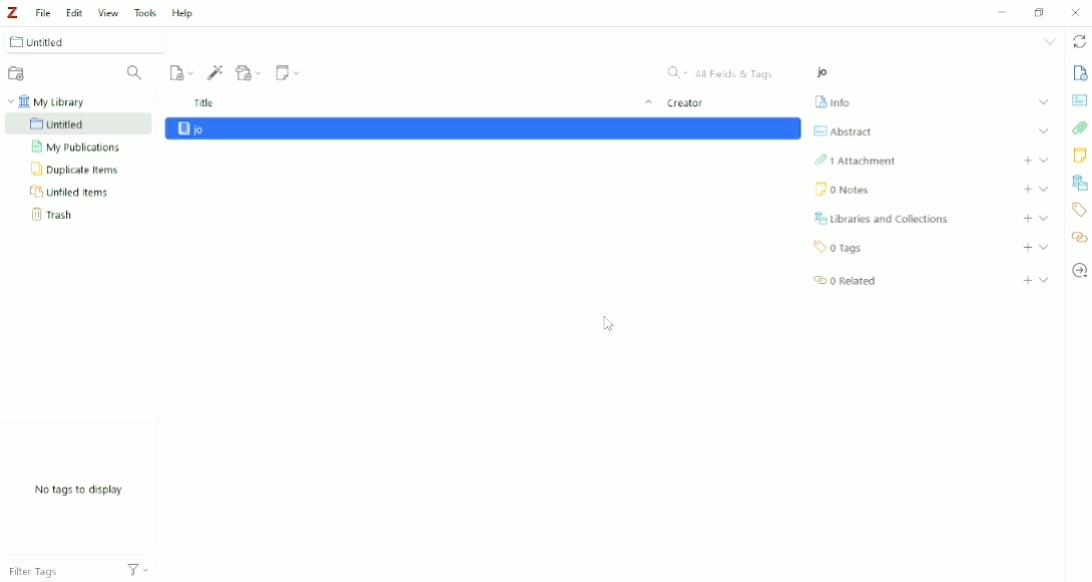 This screenshot has width=1092, height=582. Describe the element at coordinates (249, 73) in the screenshot. I see `Add Attachment` at that location.